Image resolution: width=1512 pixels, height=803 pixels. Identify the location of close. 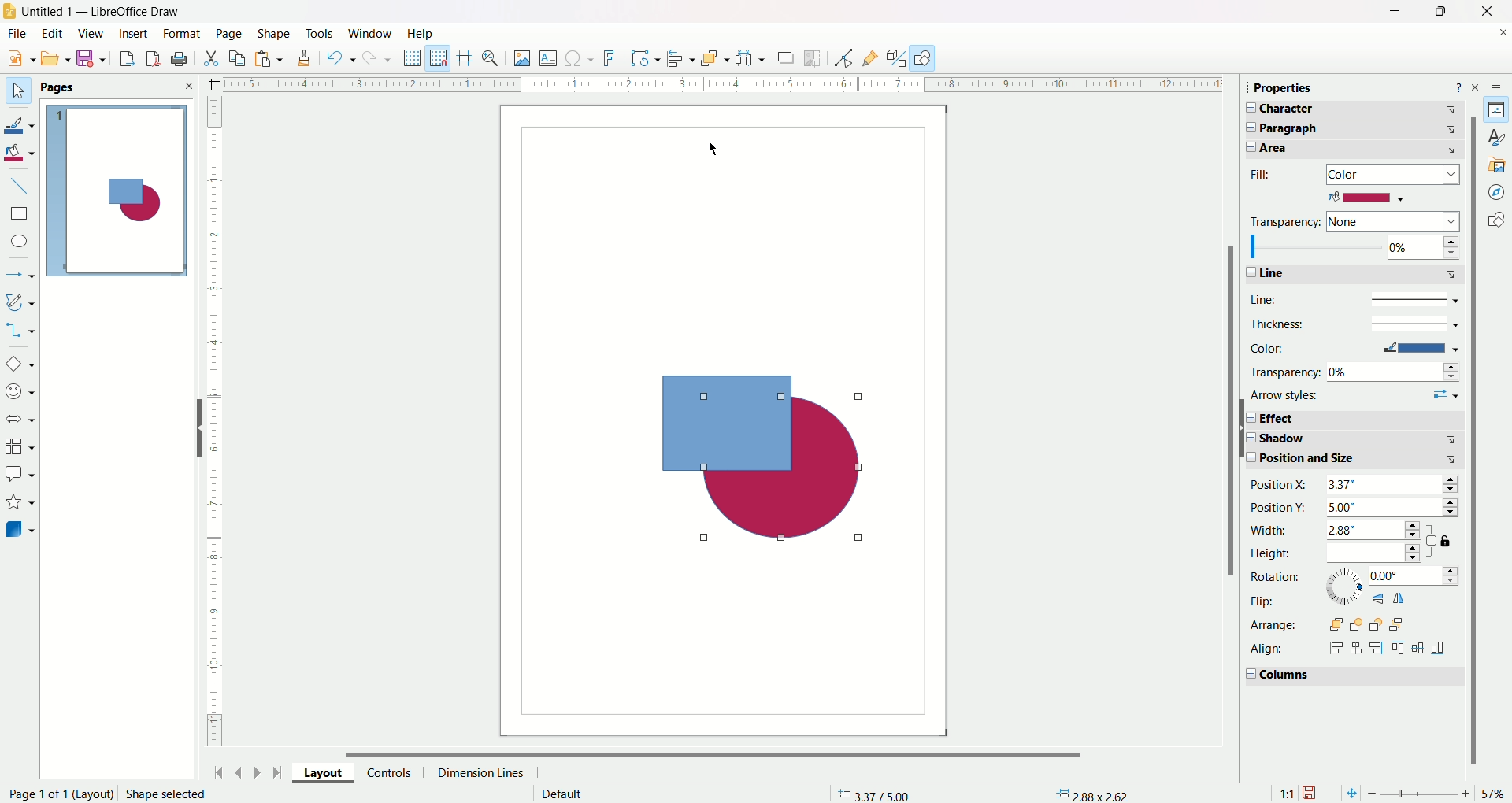
(1481, 12).